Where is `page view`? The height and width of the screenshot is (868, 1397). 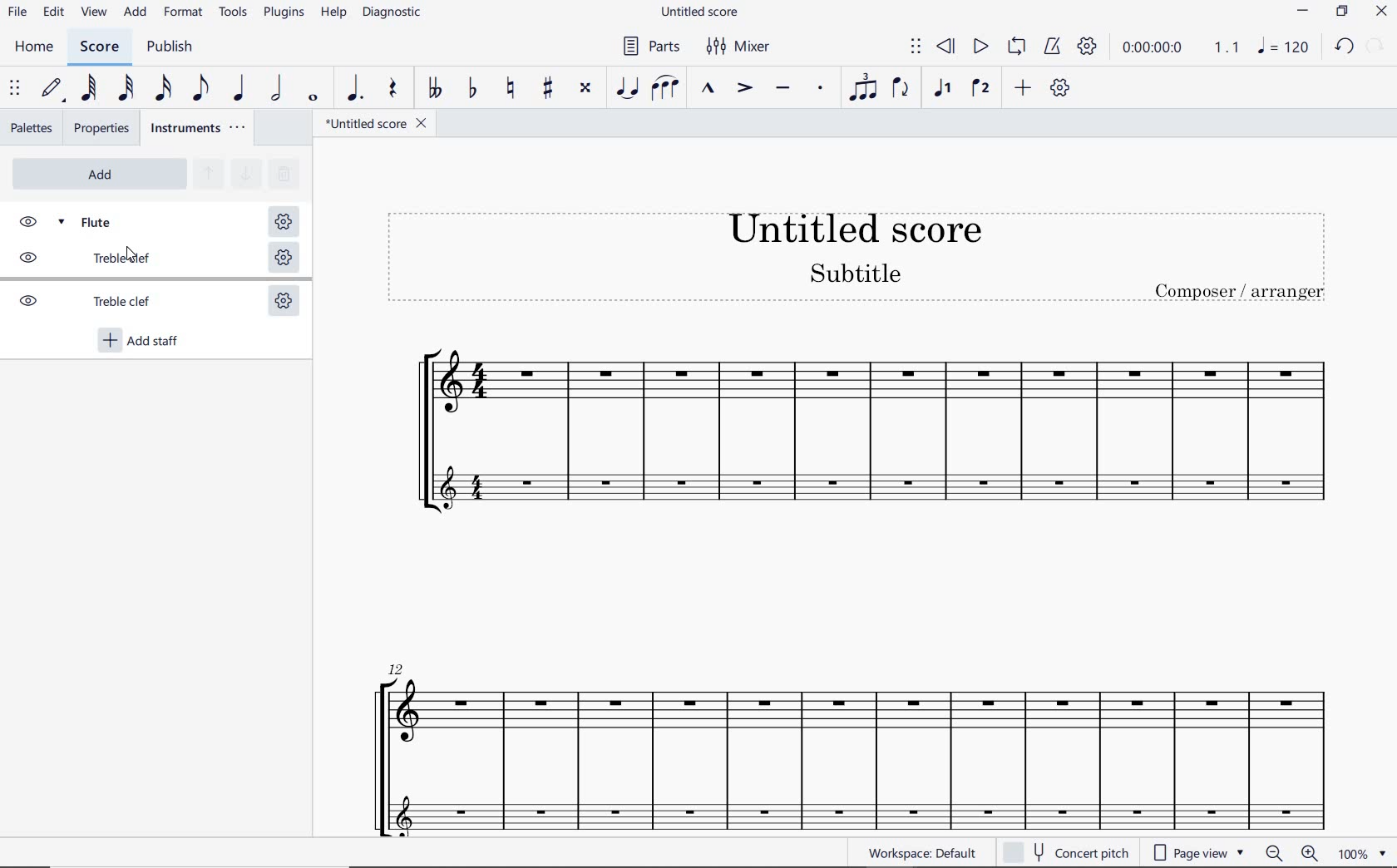
page view is located at coordinates (1197, 851).